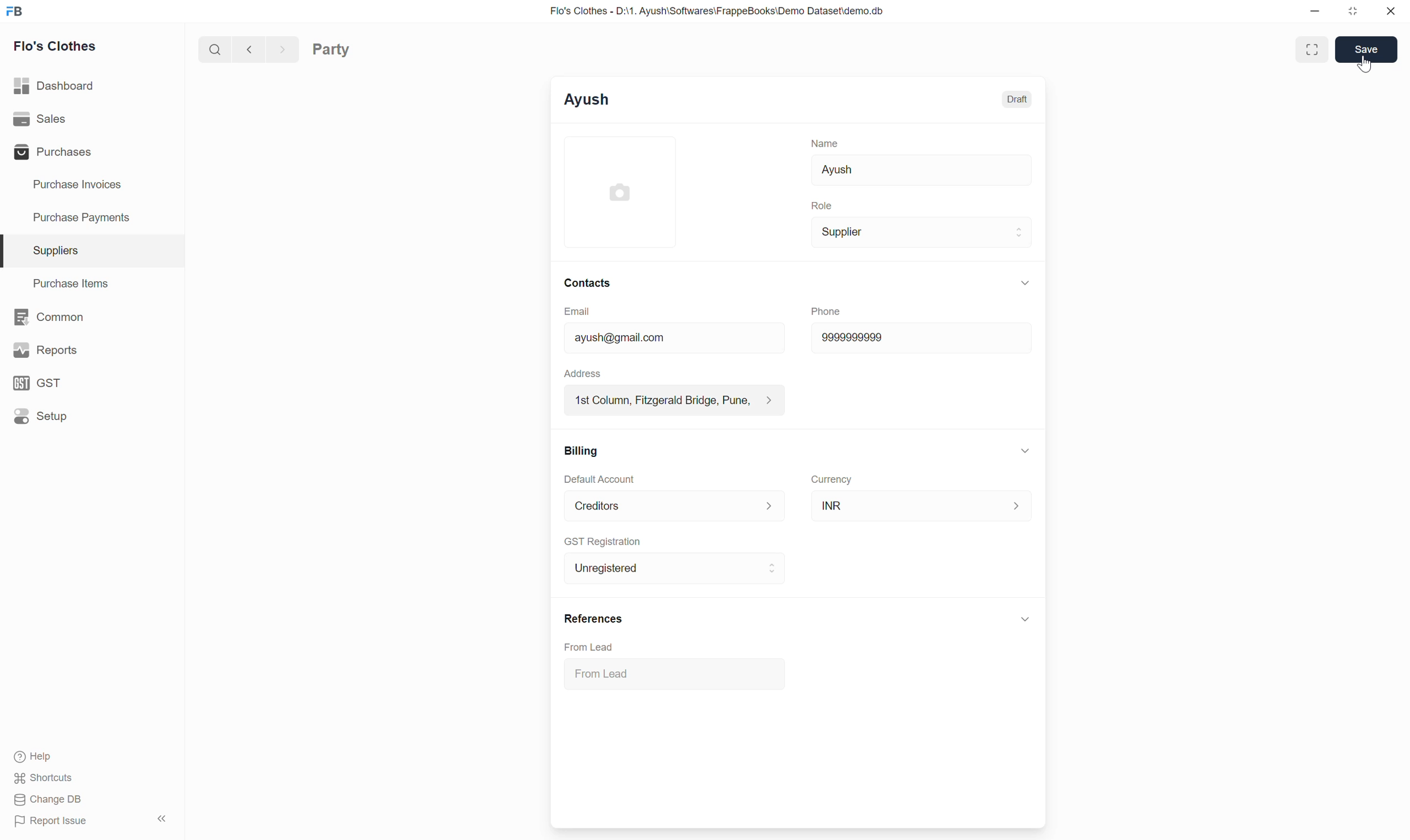 This screenshot has width=1410, height=840. Describe the element at coordinates (215, 49) in the screenshot. I see `Search` at that location.